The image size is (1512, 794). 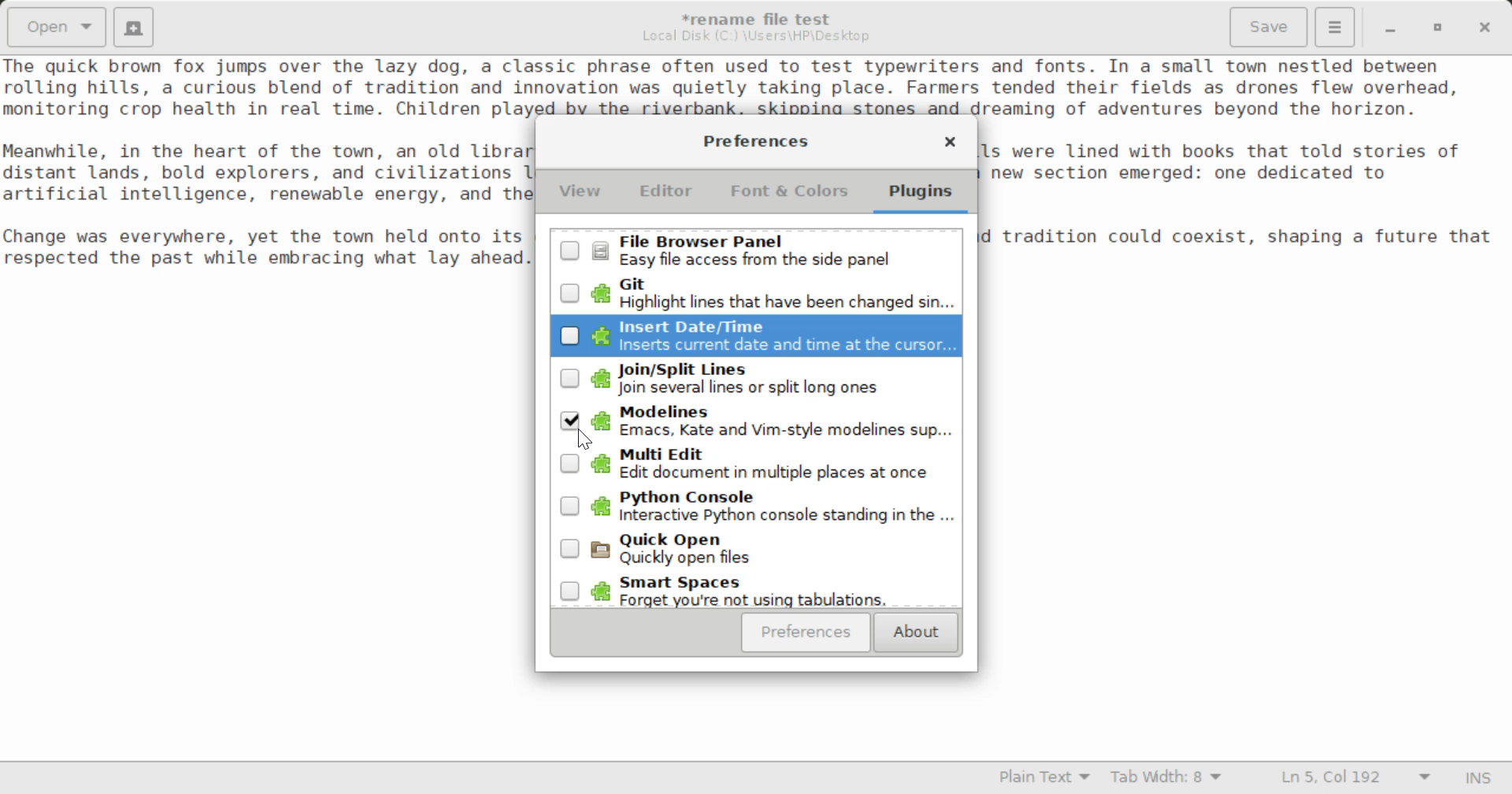 I want to click on Unselected Insert Date/Time Plugin, so click(x=753, y=333).